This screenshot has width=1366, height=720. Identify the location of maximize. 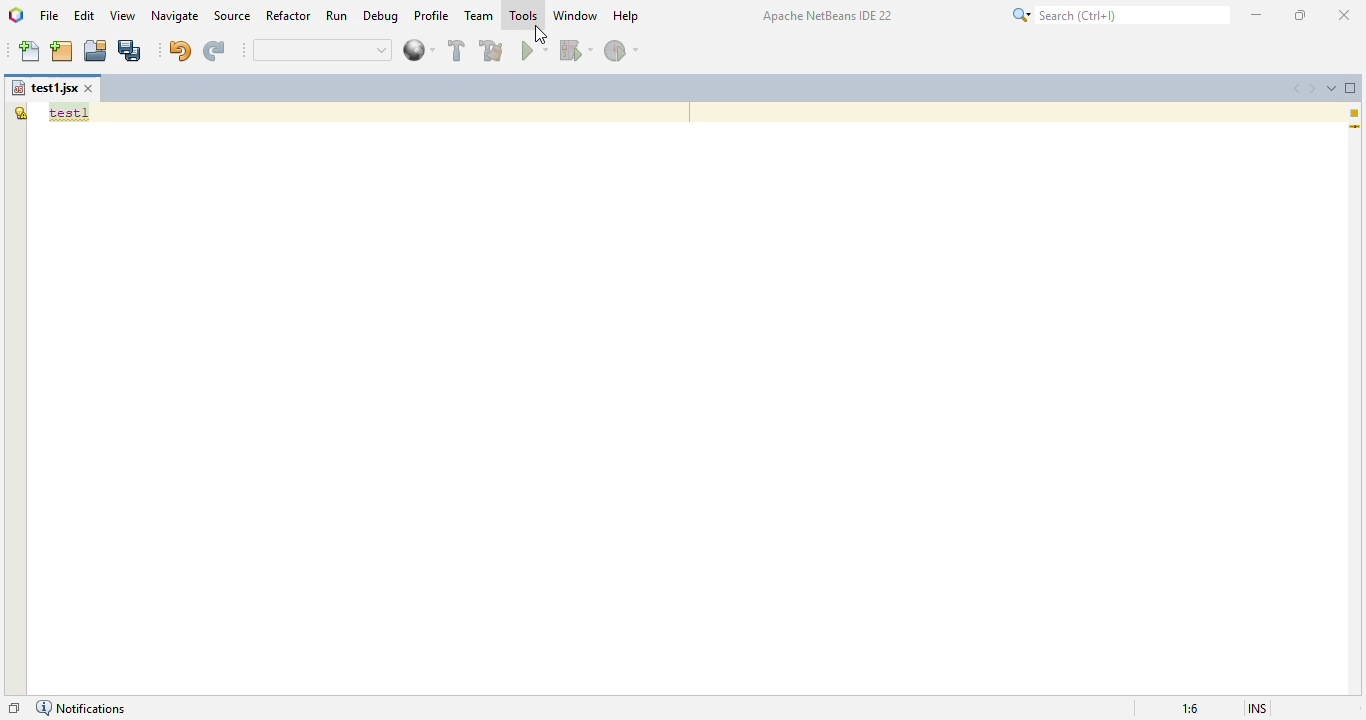
(1301, 15).